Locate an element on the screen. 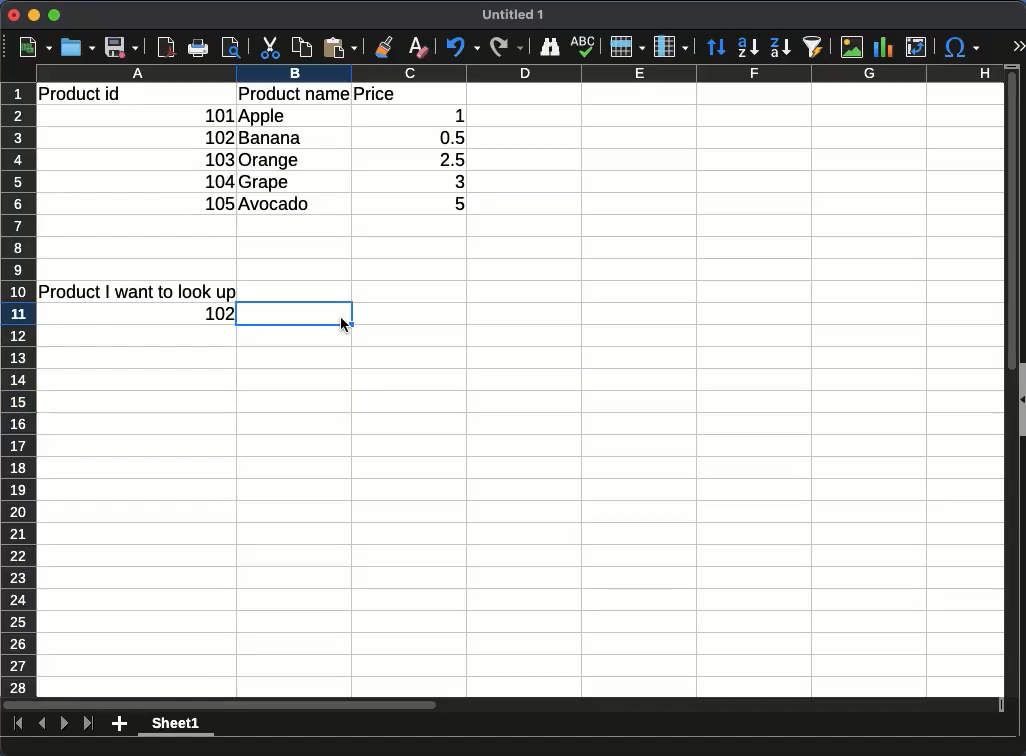 The height and width of the screenshot is (756, 1026). product name is located at coordinates (294, 93).